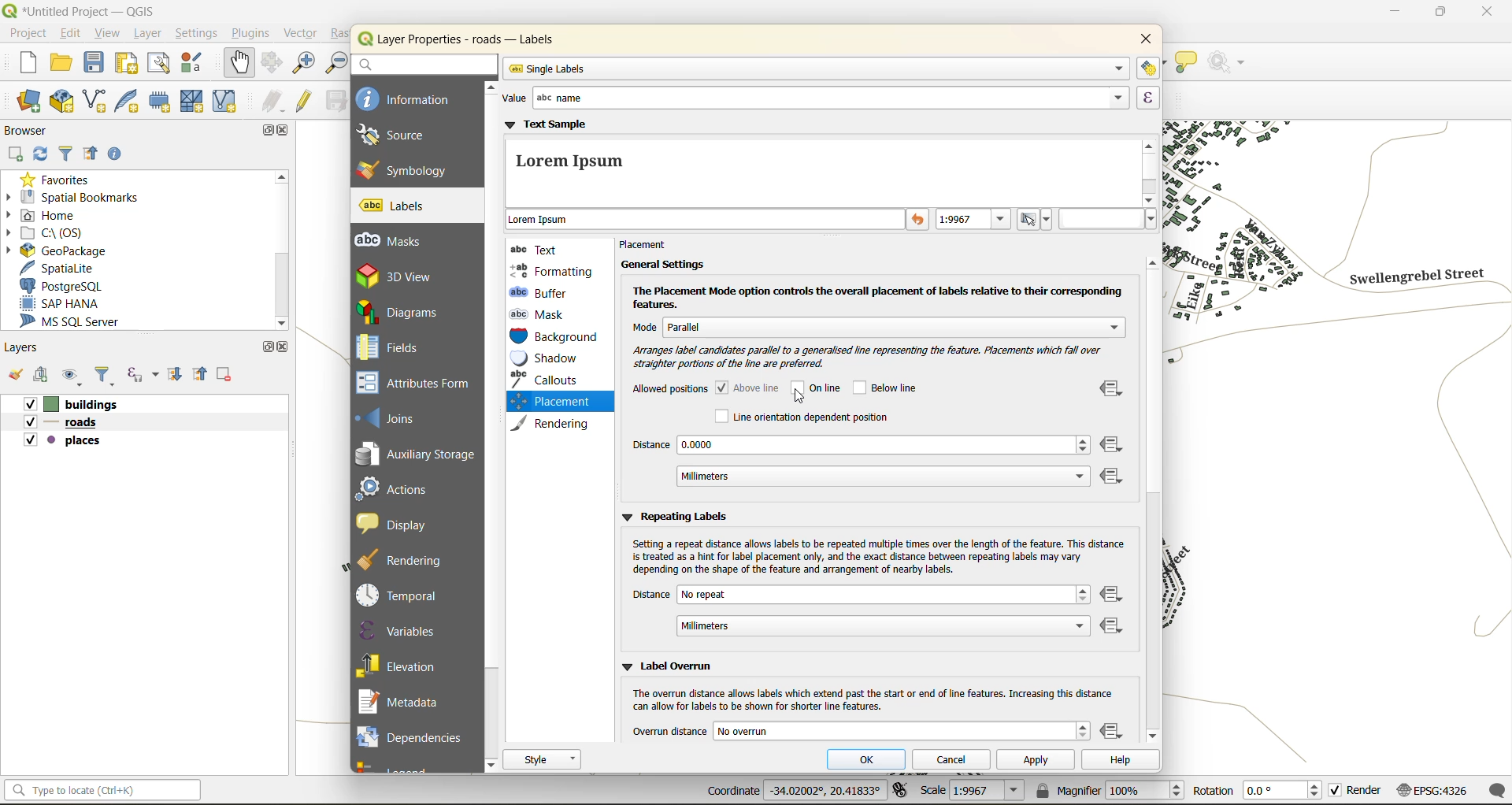 The width and height of the screenshot is (1512, 805). I want to click on spatialite, so click(59, 269).